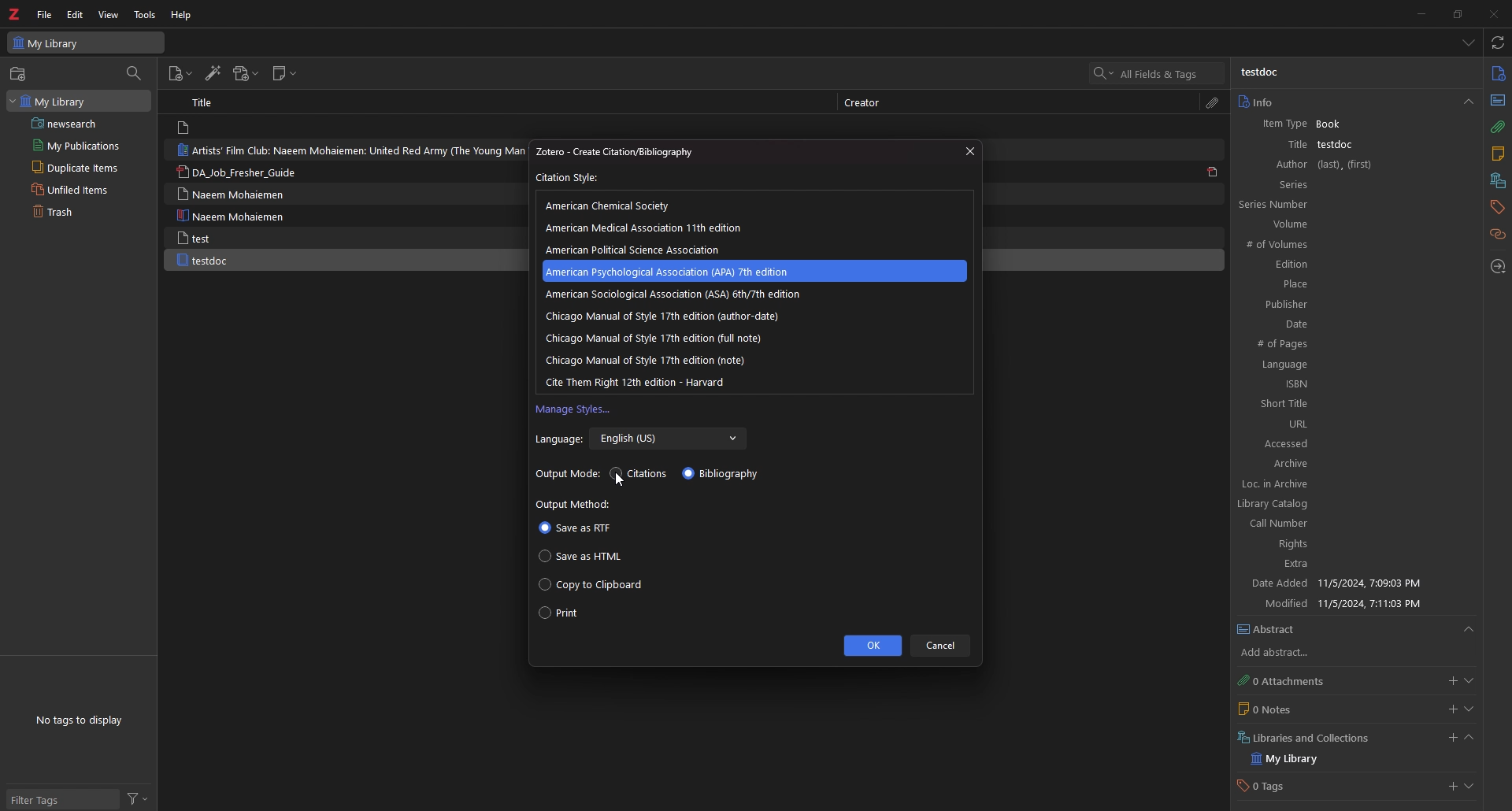 The image size is (1512, 811). I want to click on file logo, so click(186, 128).